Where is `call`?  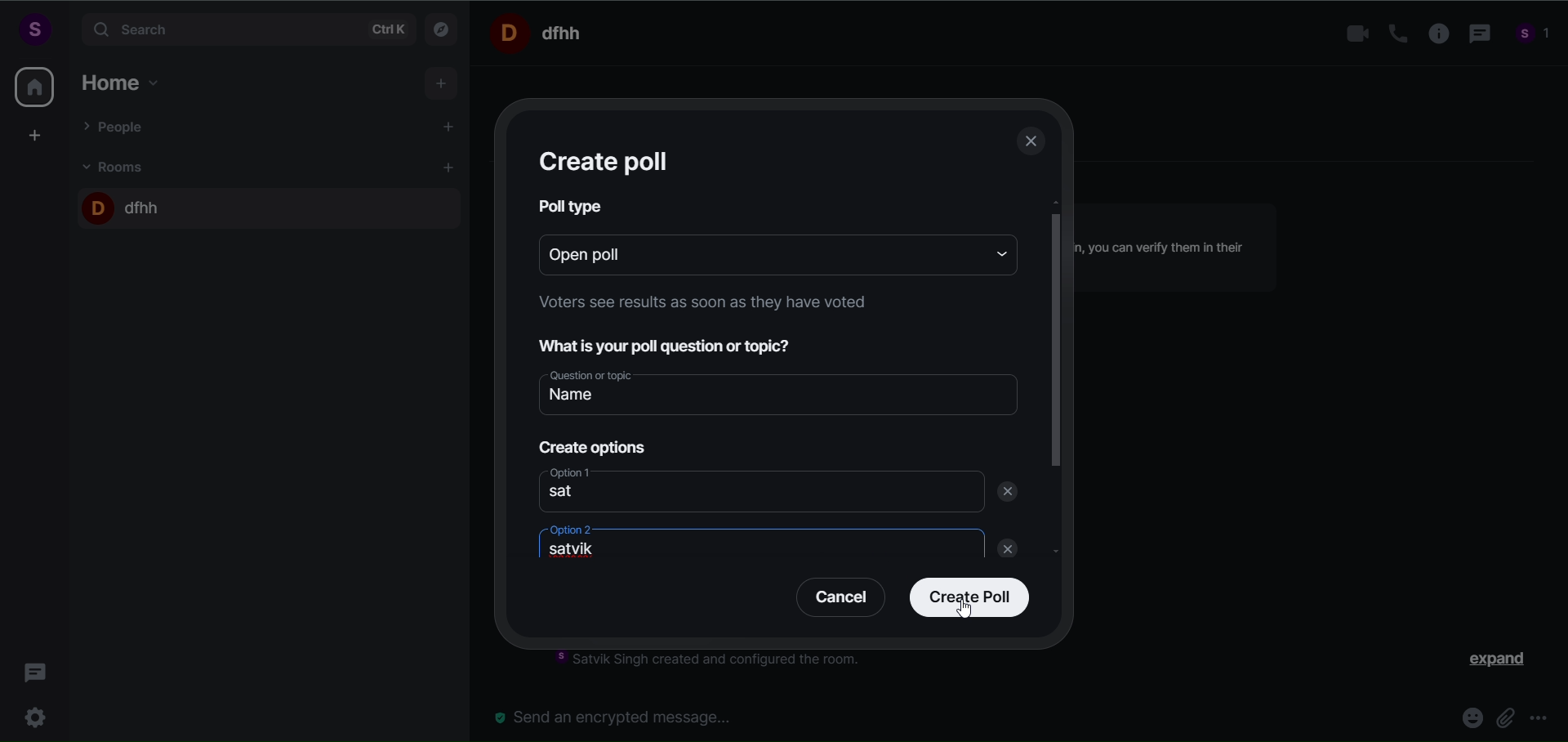
call is located at coordinates (1392, 34).